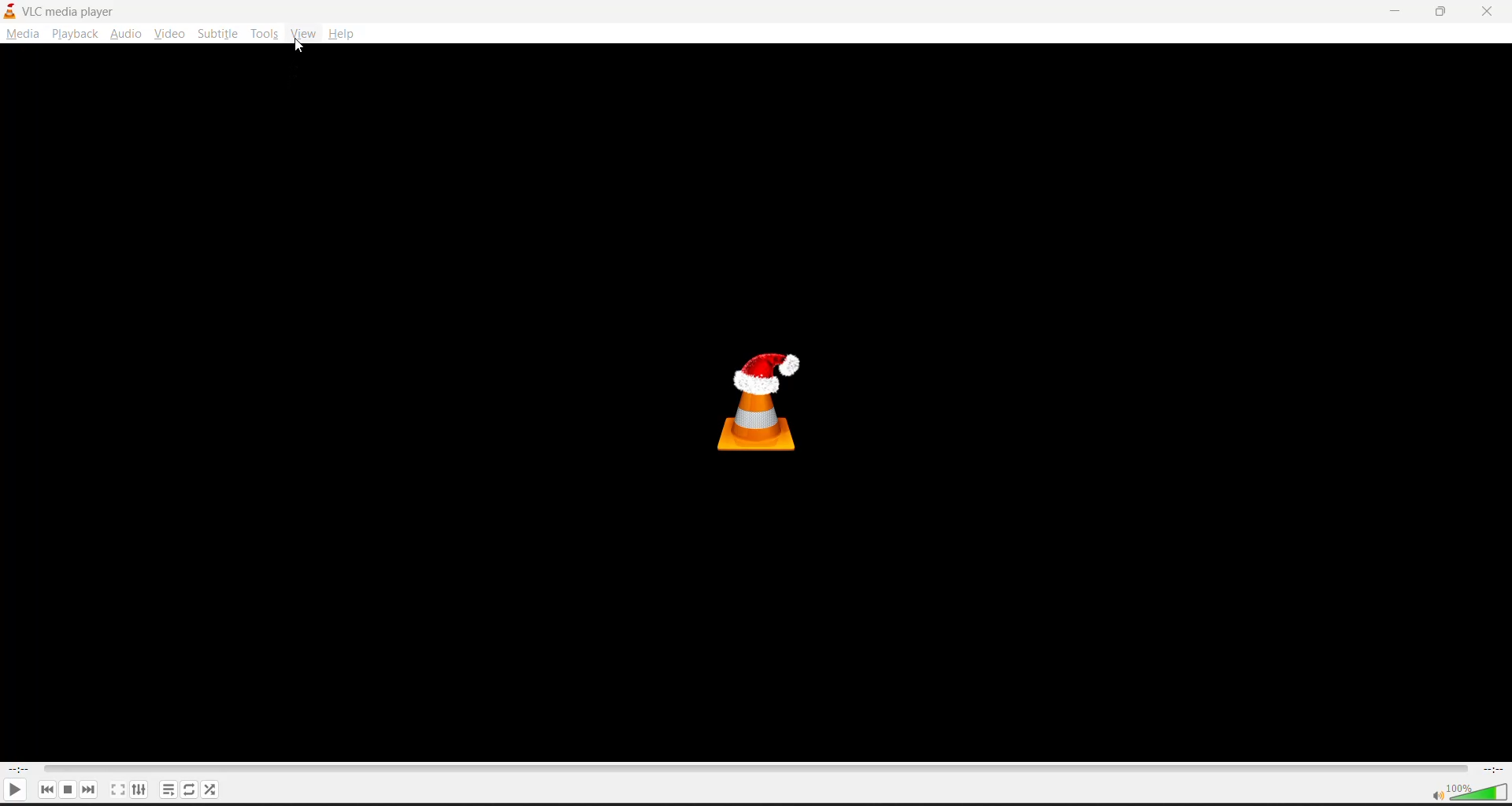  What do you see at coordinates (76, 35) in the screenshot?
I see `playback` at bounding box center [76, 35].